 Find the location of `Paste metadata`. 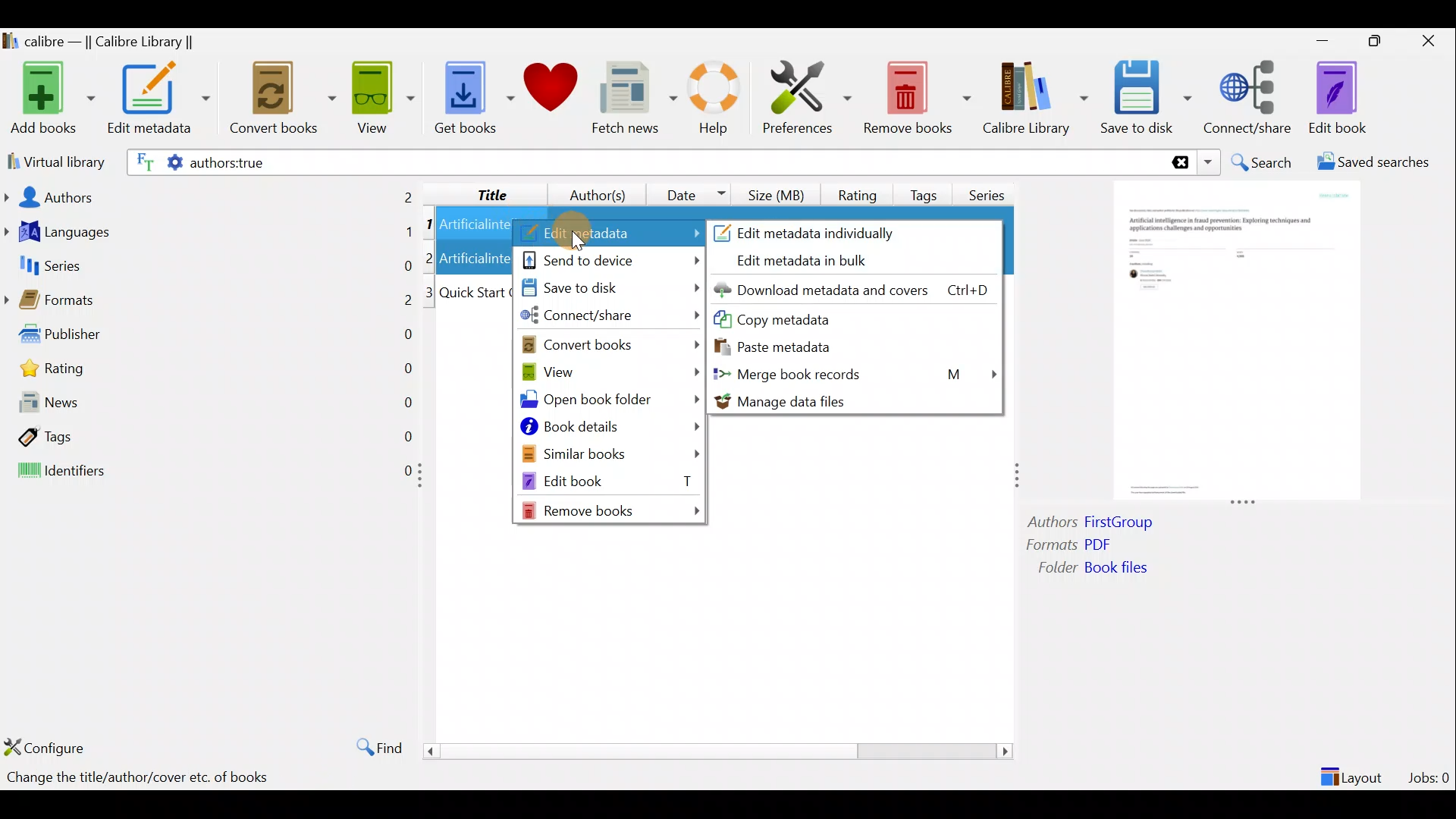

Paste metadata is located at coordinates (788, 345).